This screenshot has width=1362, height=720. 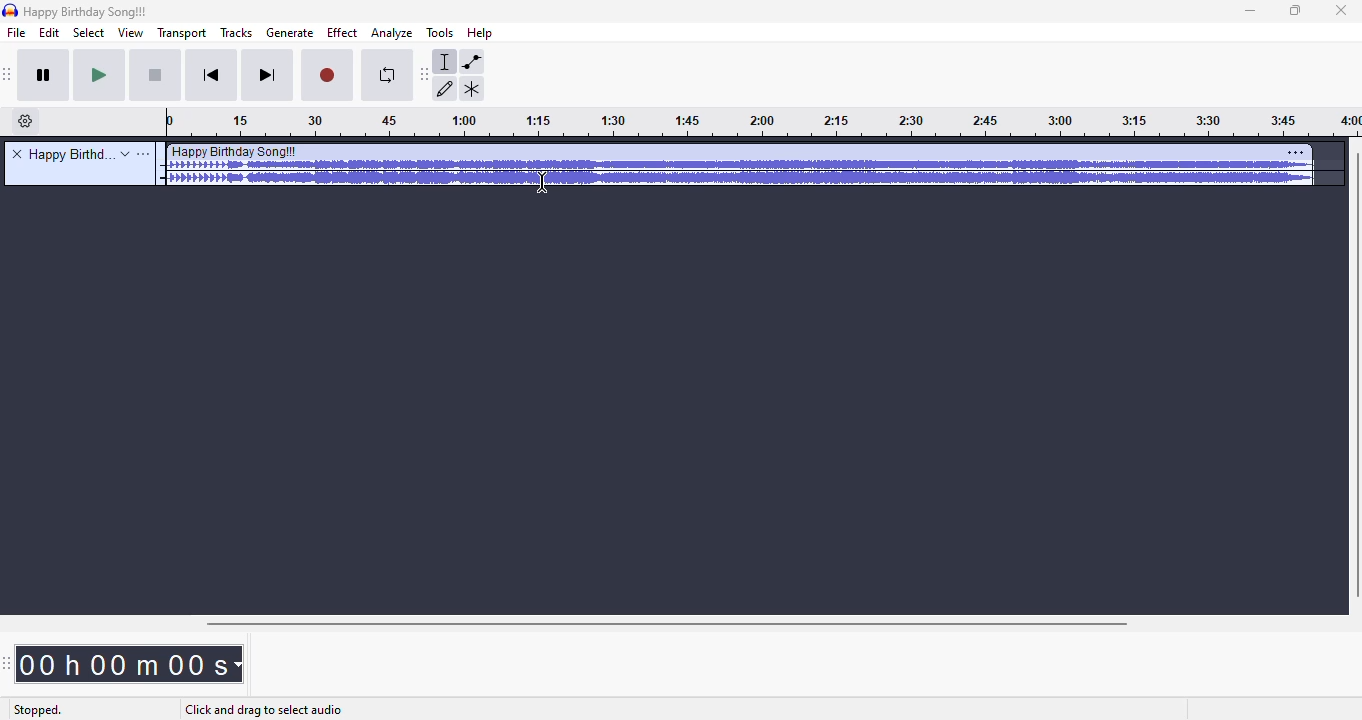 What do you see at coordinates (342, 33) in the screenshot?
I see `effect` at bounding box center [342, 33].